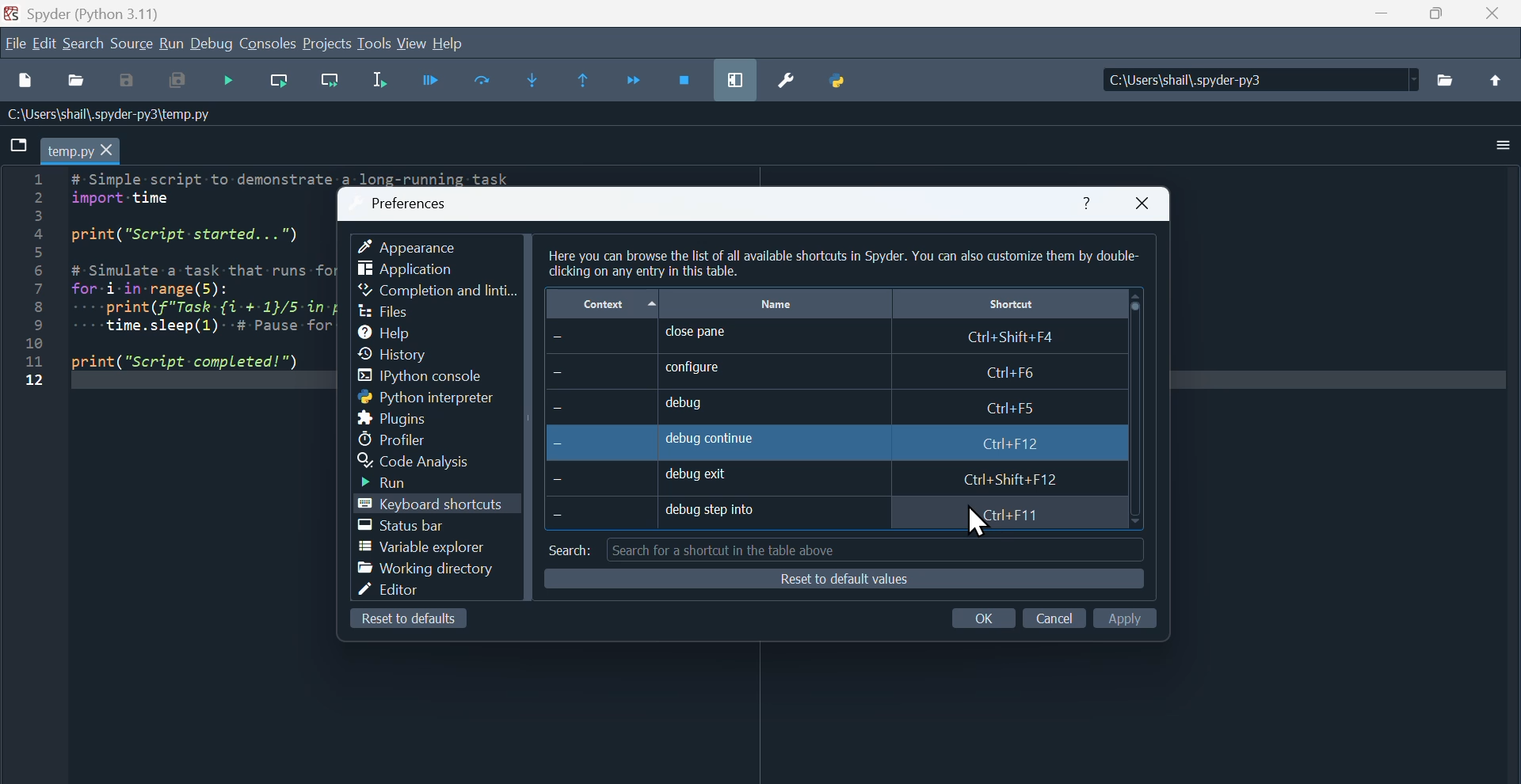 The height and width of the screenshot is (784, 1521). What do you see at coordinates (1489, 146) in the screenshot?
I see `More options` at bounding box center [1489, 146].